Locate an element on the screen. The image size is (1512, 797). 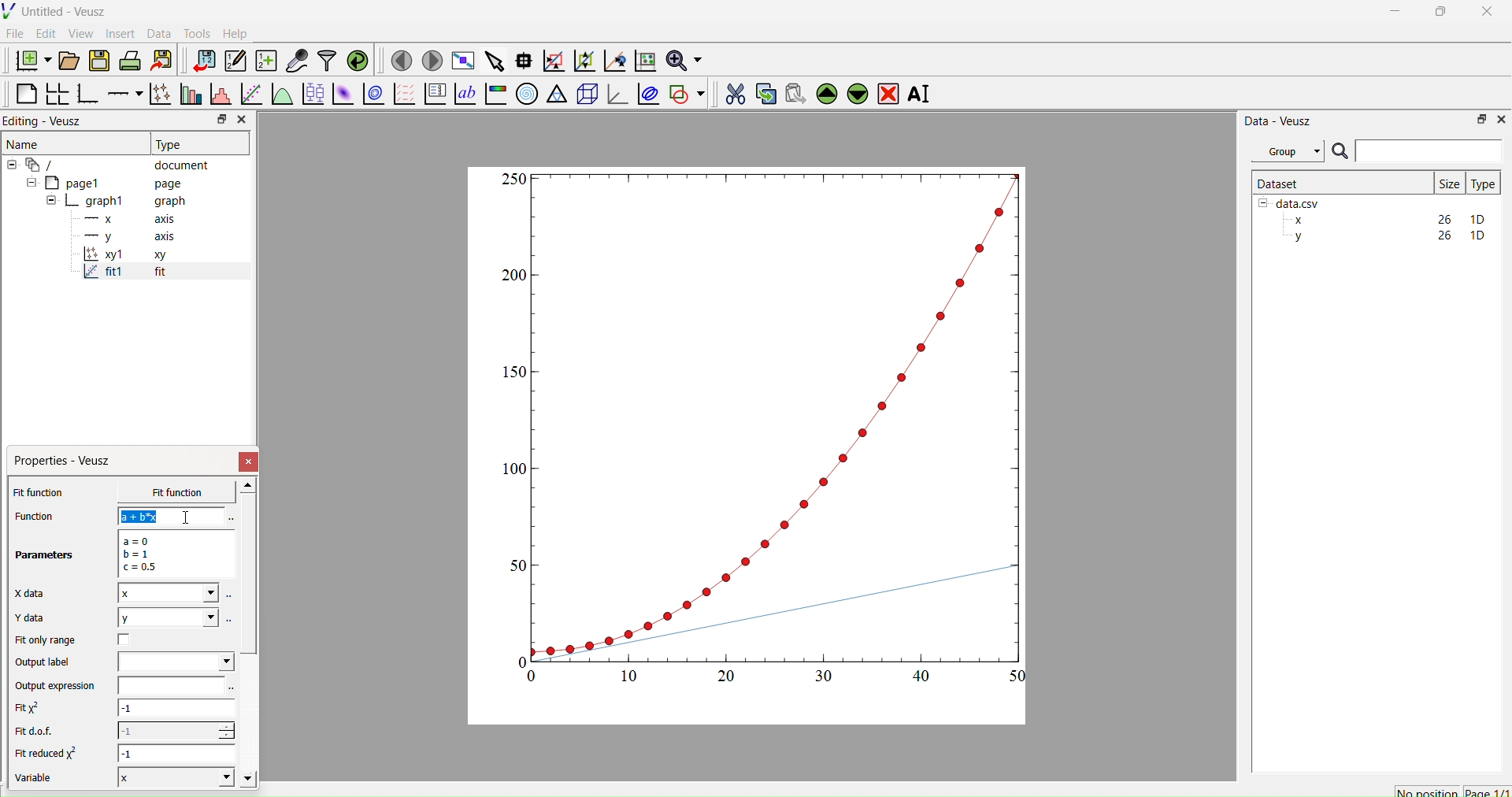
Fit dof. is located at coordinates (38, 732).